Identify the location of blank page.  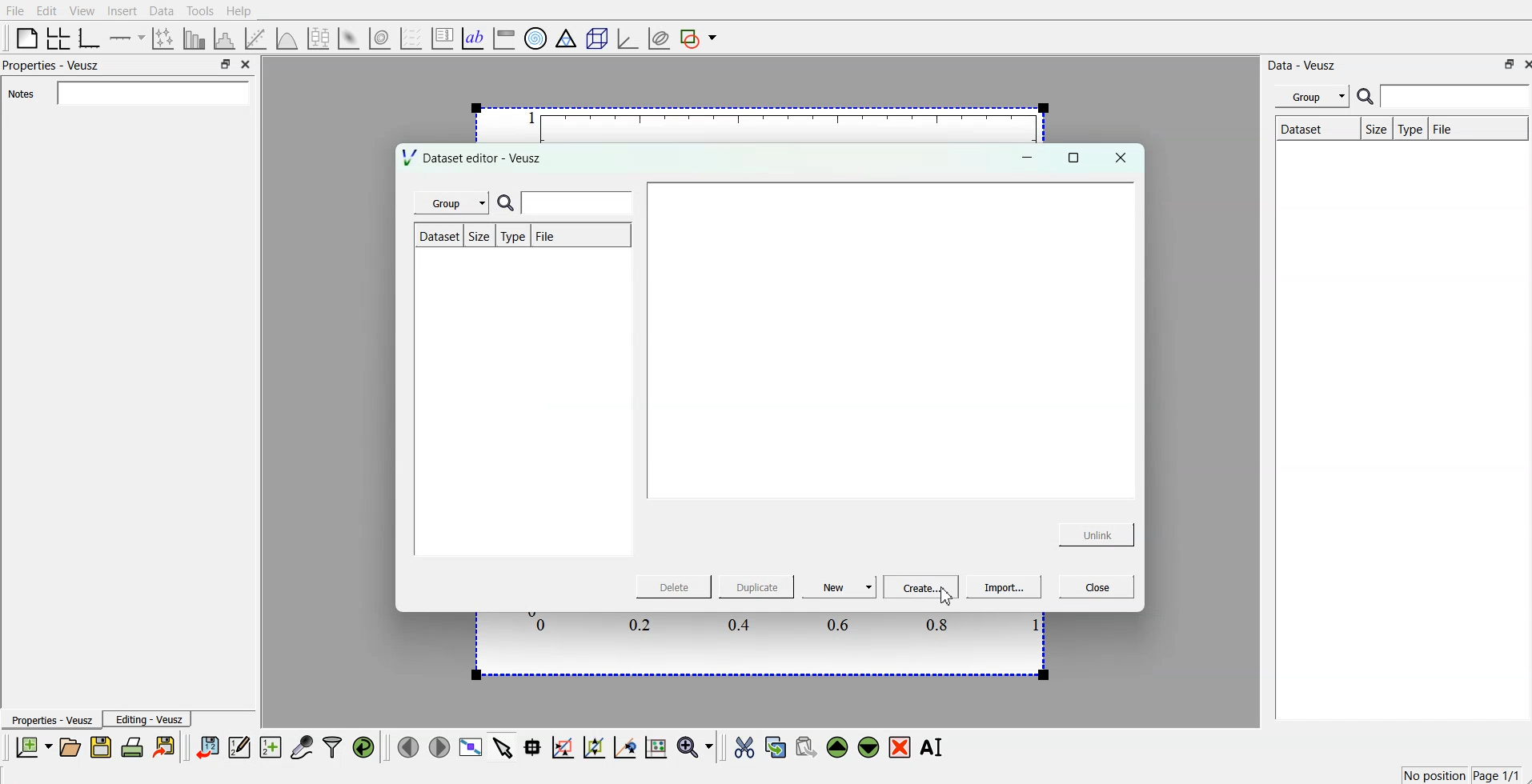
(24, 38).